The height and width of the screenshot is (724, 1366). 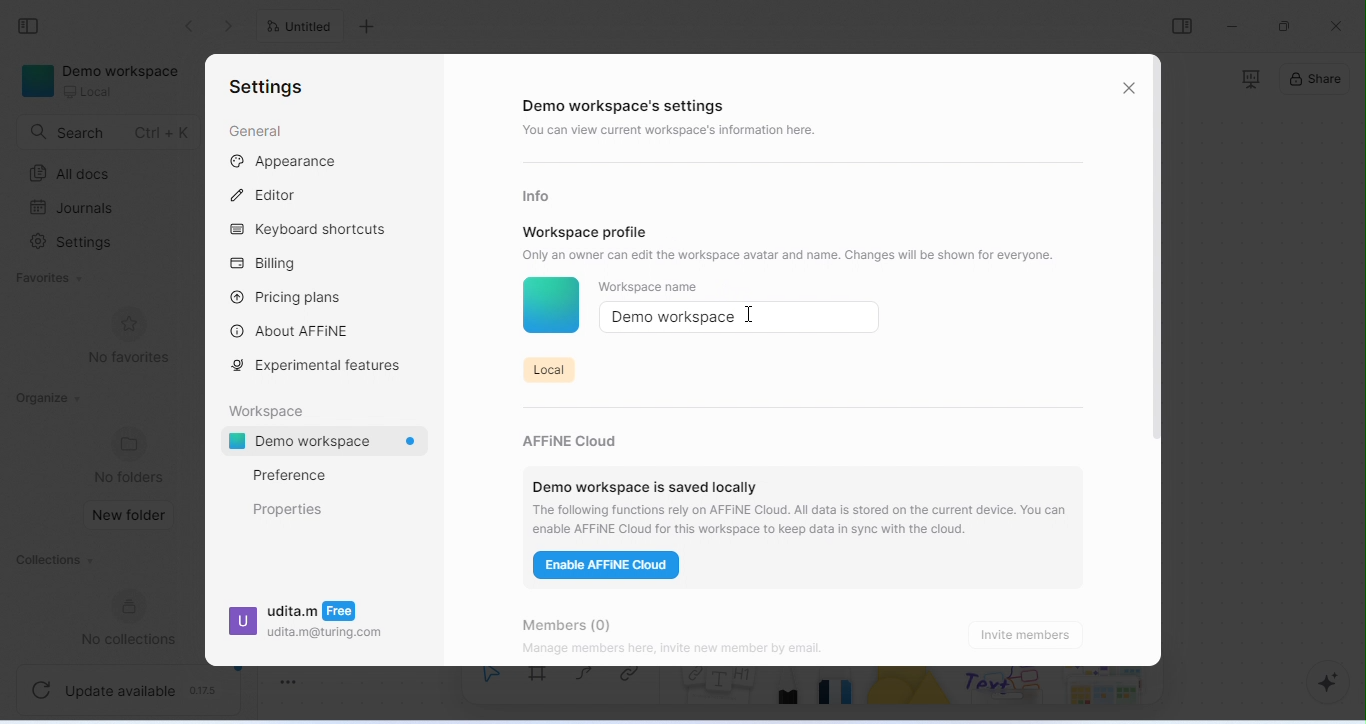 I want to click on preference, so click(x=289, y=475).